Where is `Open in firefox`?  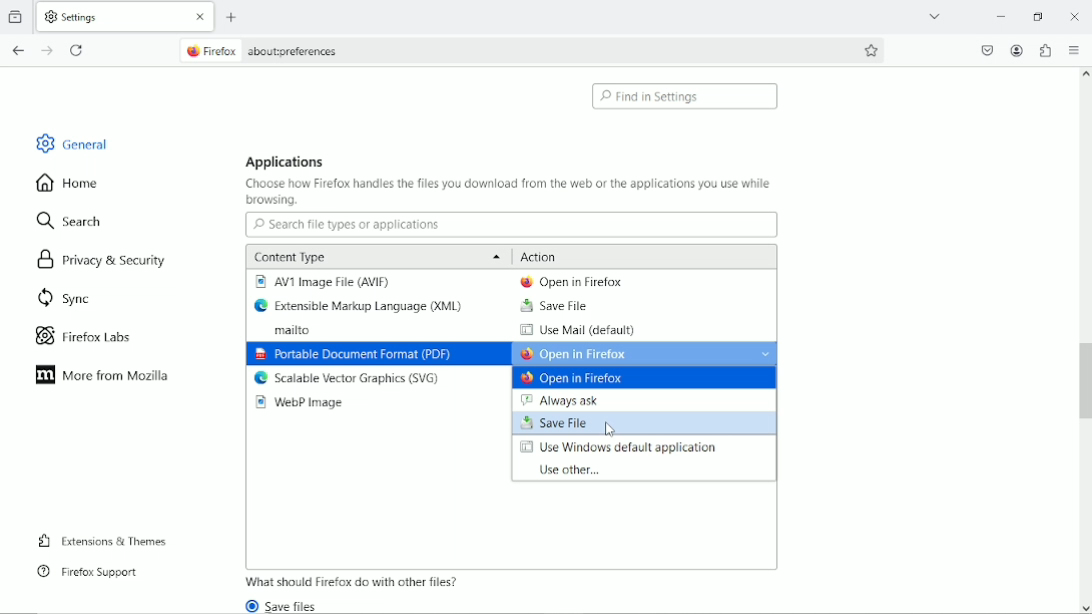
Open in firefox is located at coordinates (570, 281).